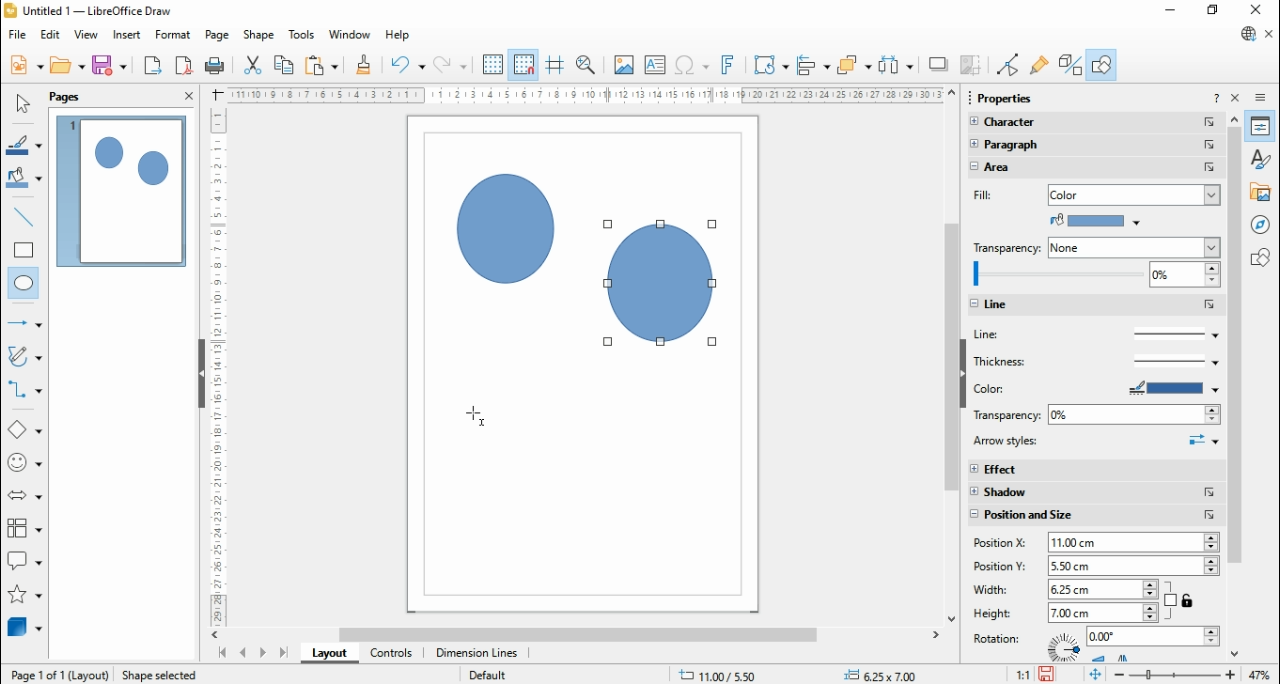 The width and height of the screenshot is (1280, 684). Describe the element at coordinates (263, 654) in the screenshot. I see `next page` at that location.